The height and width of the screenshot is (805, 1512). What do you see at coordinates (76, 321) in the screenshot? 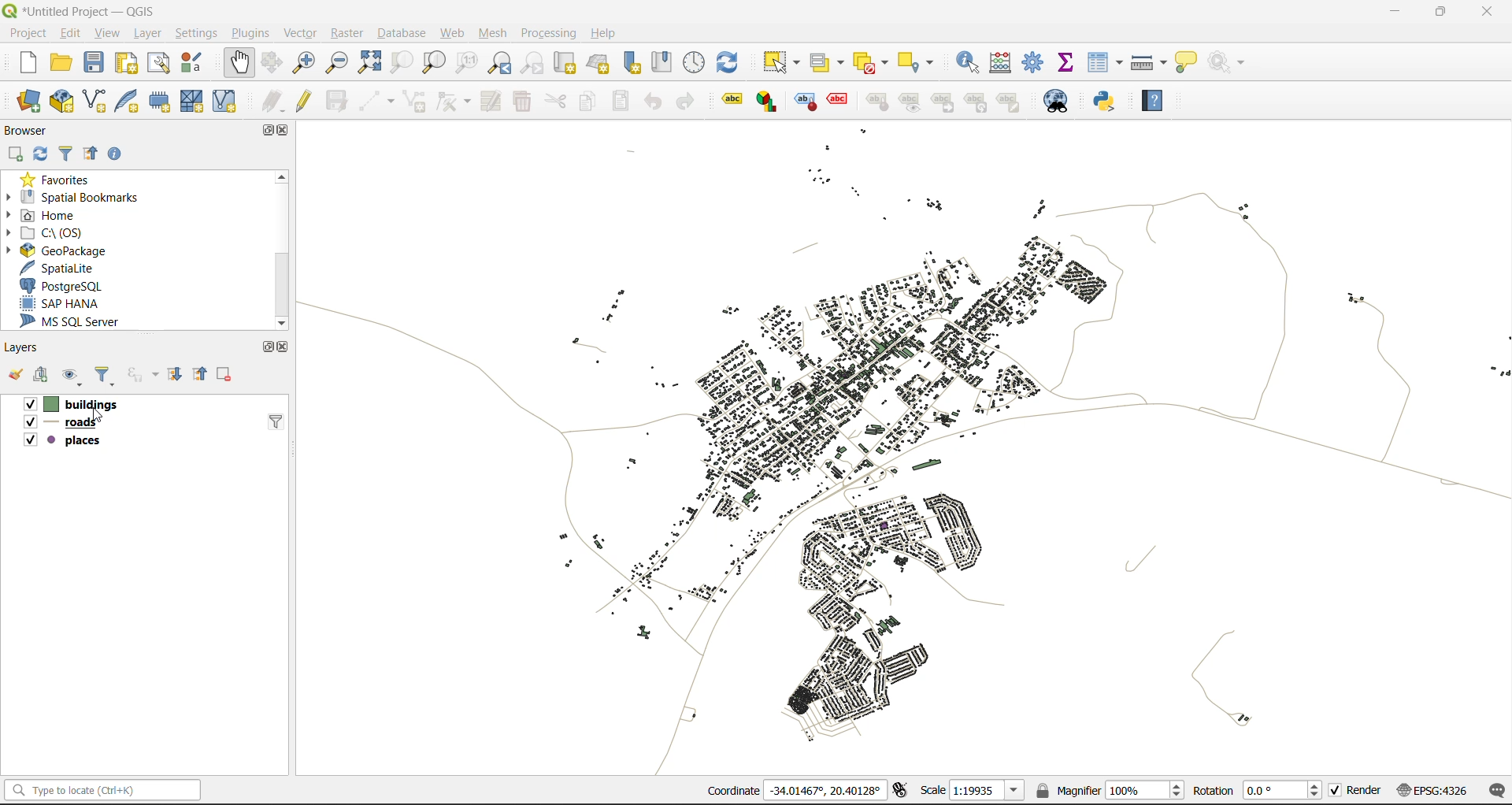
I see `ms sql server` at bounding box center [76, 321].